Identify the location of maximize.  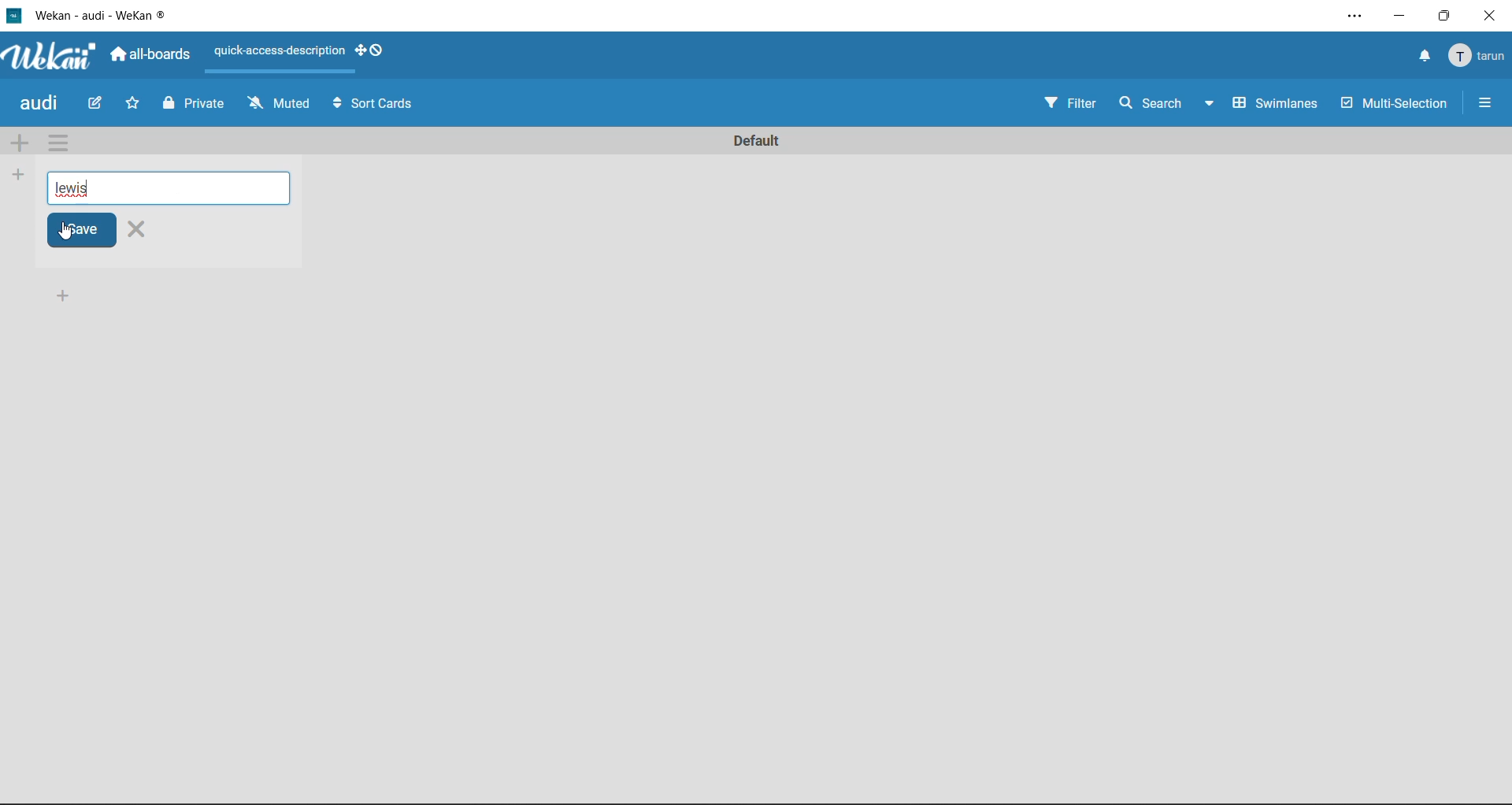
(1448, 17).